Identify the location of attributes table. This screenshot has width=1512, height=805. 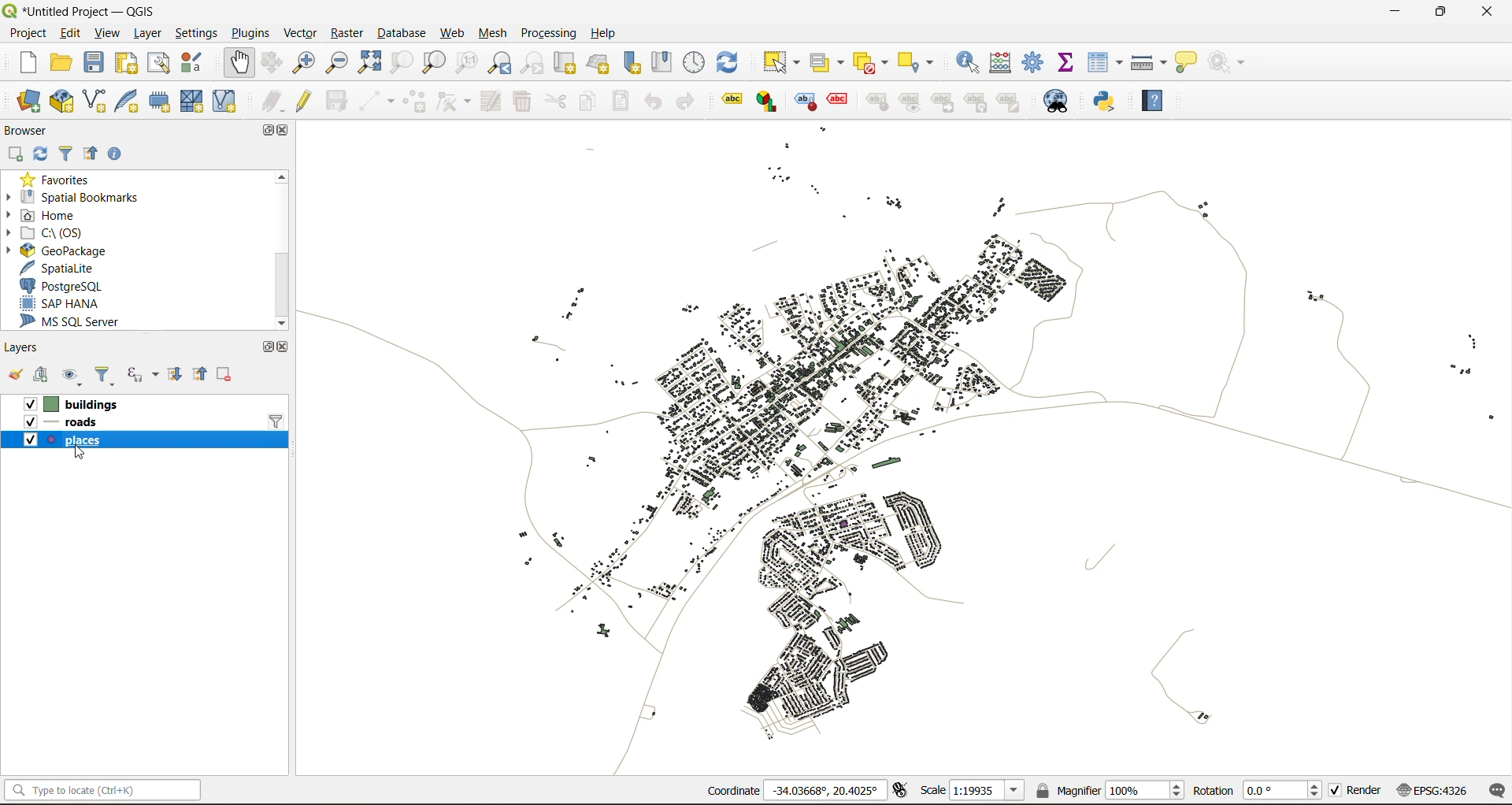
(1109, 63).